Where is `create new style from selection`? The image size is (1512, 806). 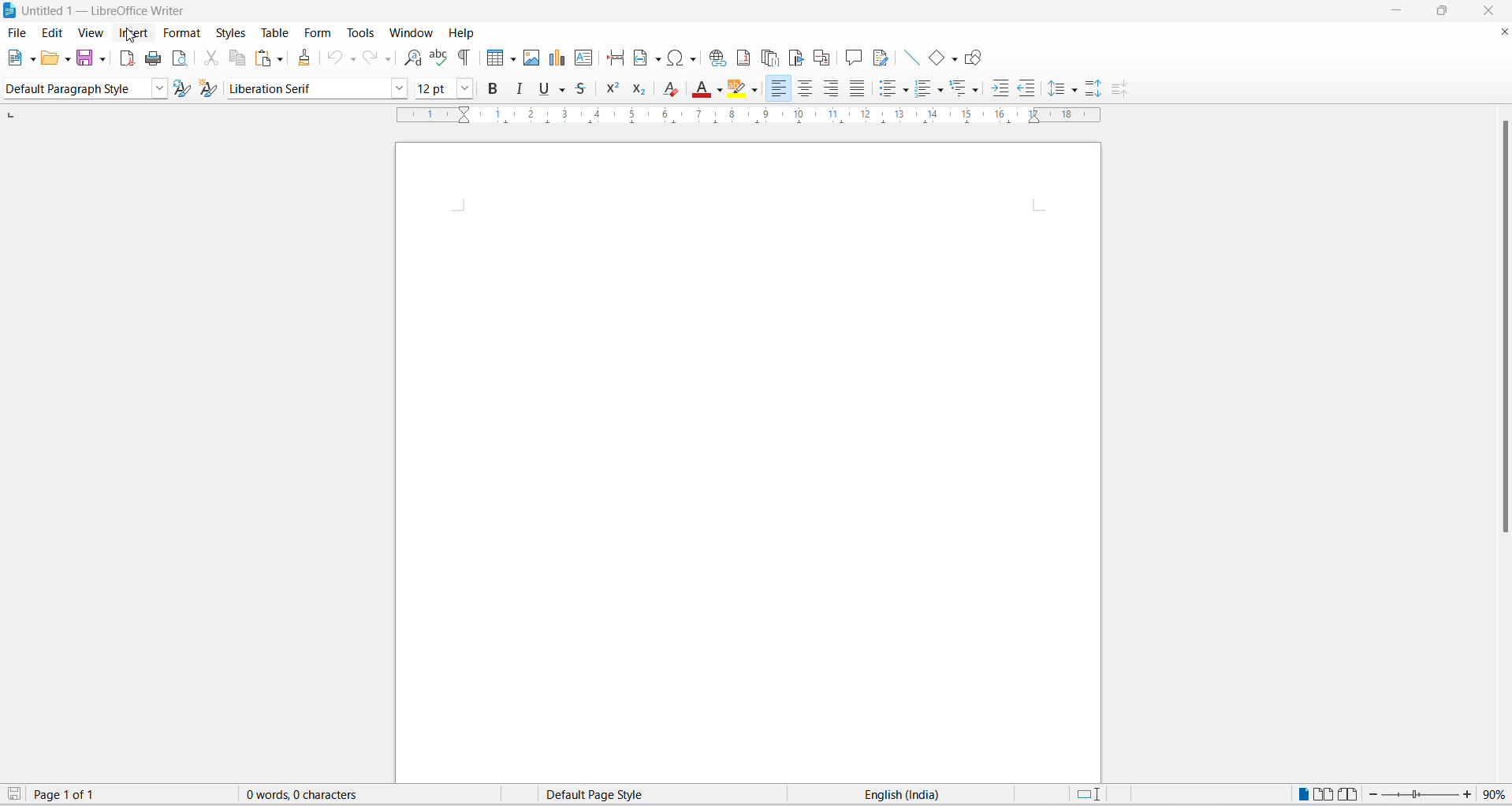 create new style from selection is located at coordinates (210, 87).